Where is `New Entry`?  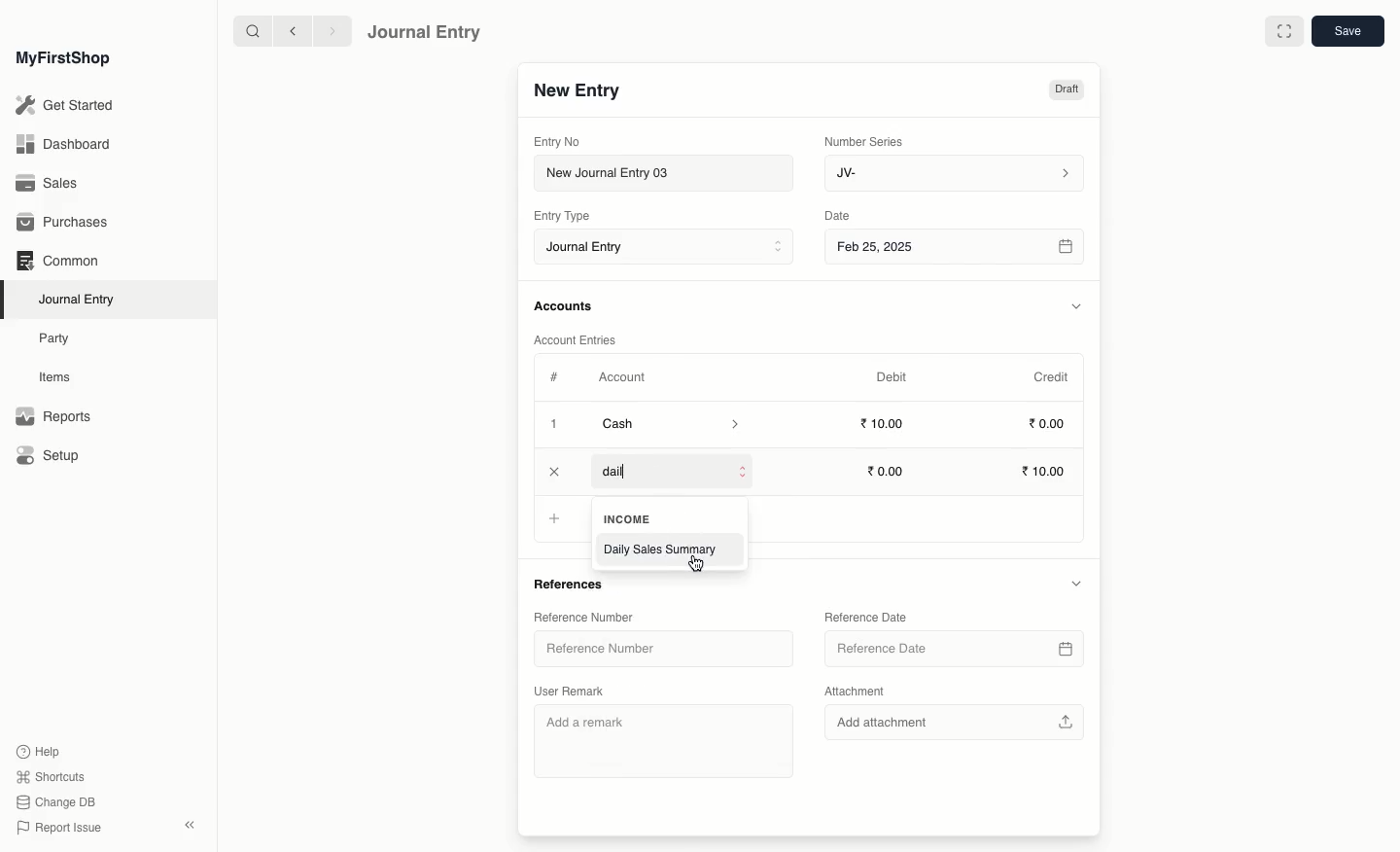
New Entry is located at coordinates (577, 91).